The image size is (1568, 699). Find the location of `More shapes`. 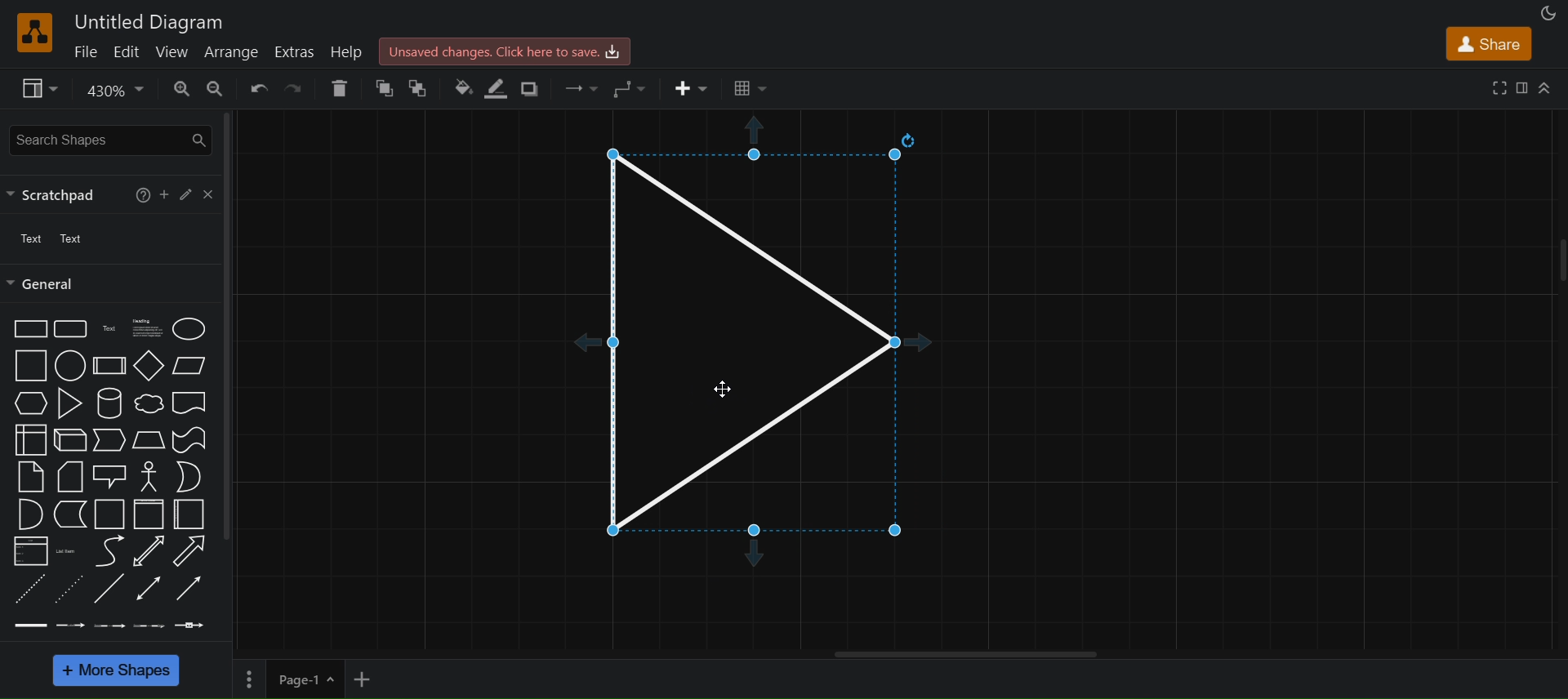

More shapes is located at coordinates (115, 670).